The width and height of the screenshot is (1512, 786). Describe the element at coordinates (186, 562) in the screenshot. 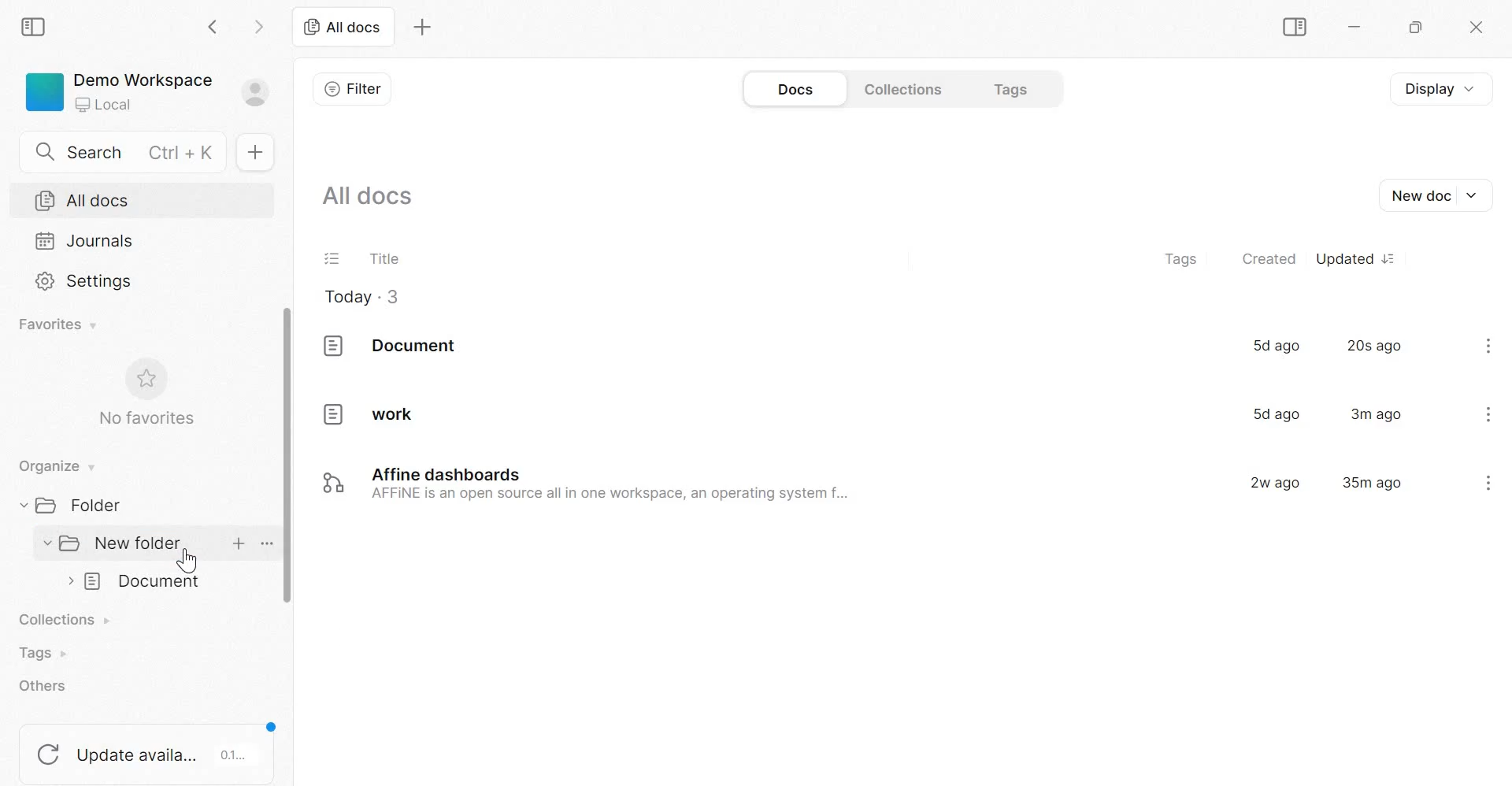

I see `cursor` at that location.